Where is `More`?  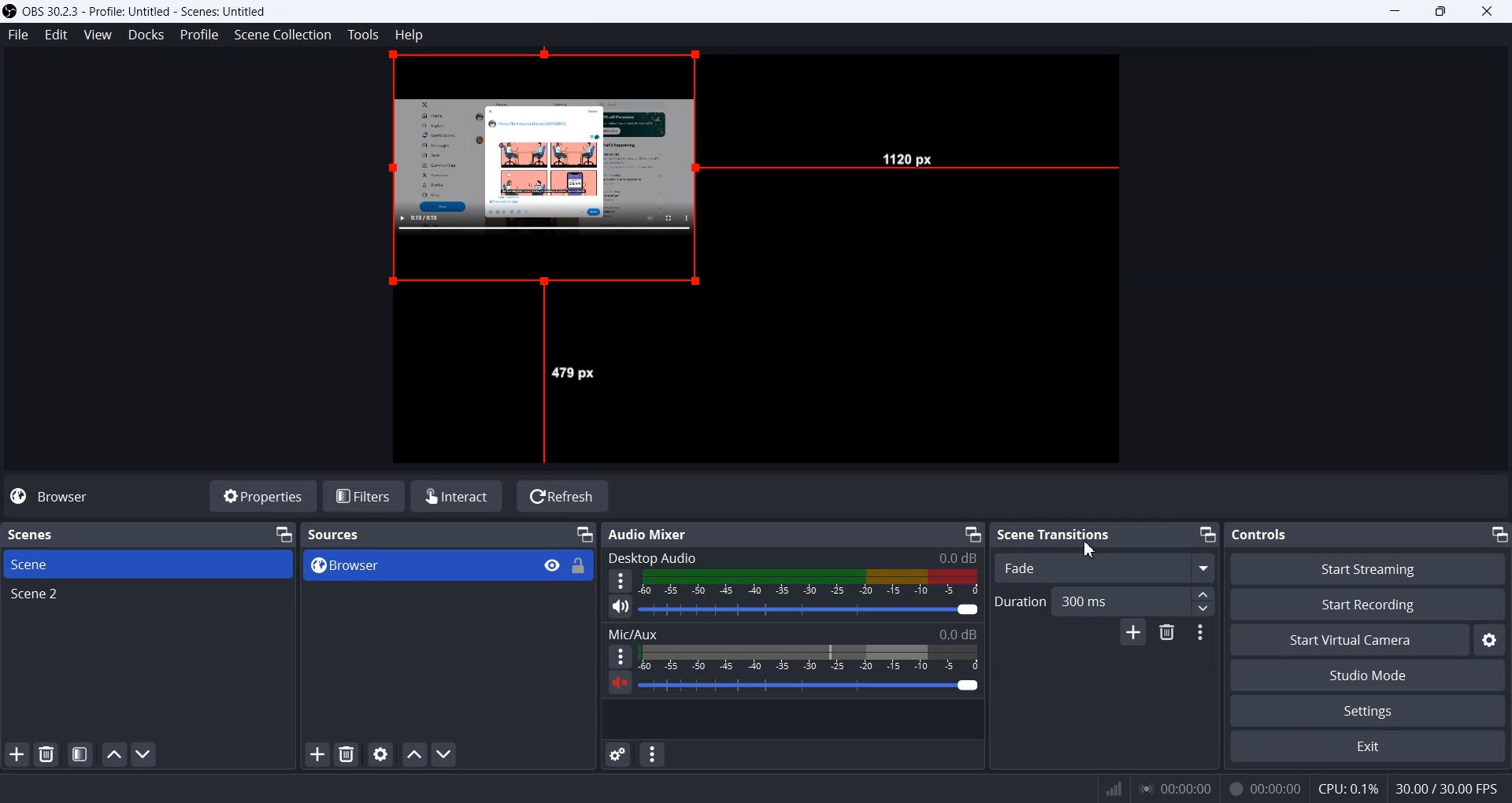
More is located at coordinates (615, 656).